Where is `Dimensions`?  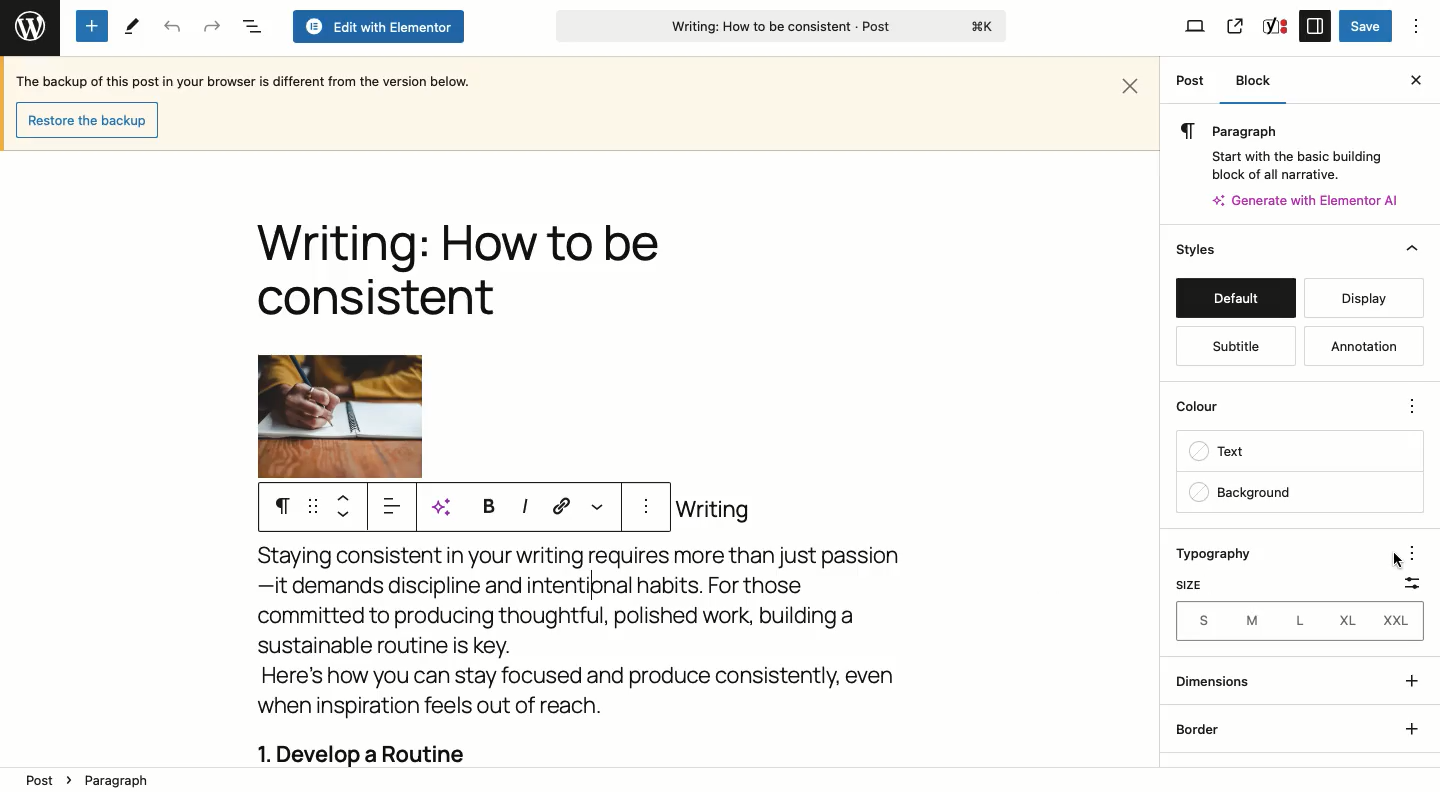 Dimensions is located at coordinates (1213, 682).